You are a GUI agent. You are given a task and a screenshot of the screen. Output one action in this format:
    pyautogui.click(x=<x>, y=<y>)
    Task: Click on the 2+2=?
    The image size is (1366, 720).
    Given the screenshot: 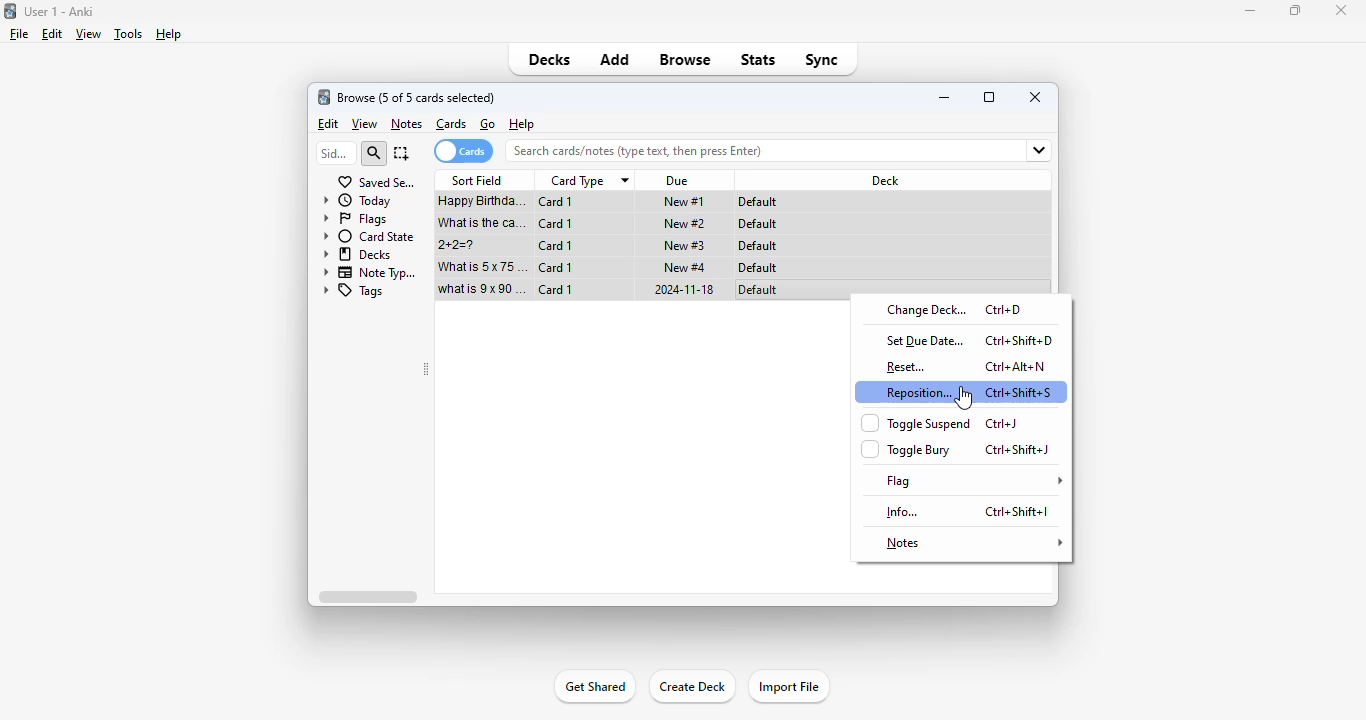 What is the action you would take?
    pyautogui.click(x=459, y=245)
    